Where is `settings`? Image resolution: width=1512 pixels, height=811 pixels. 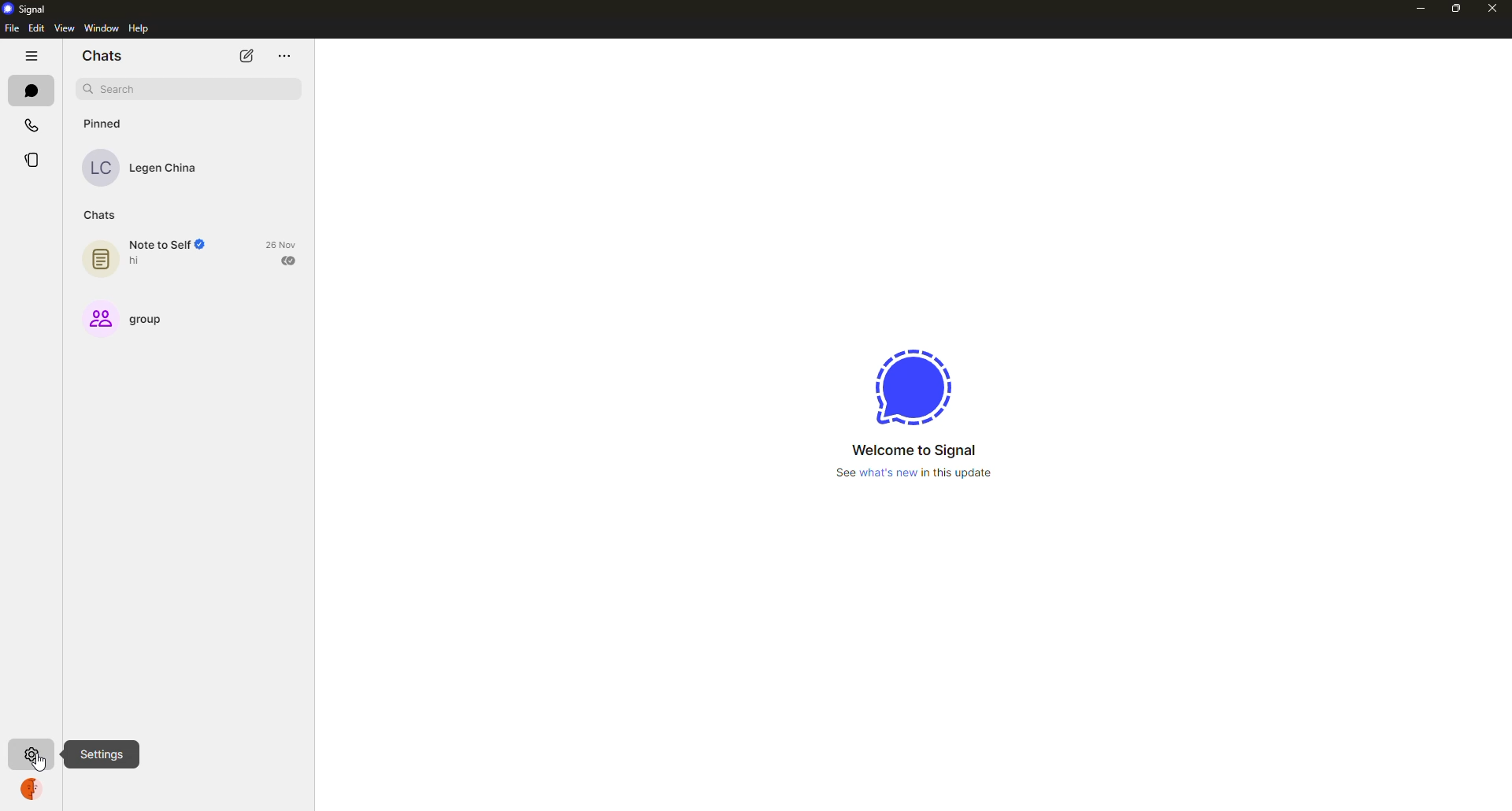 settings is located at coordinates (31, 754).